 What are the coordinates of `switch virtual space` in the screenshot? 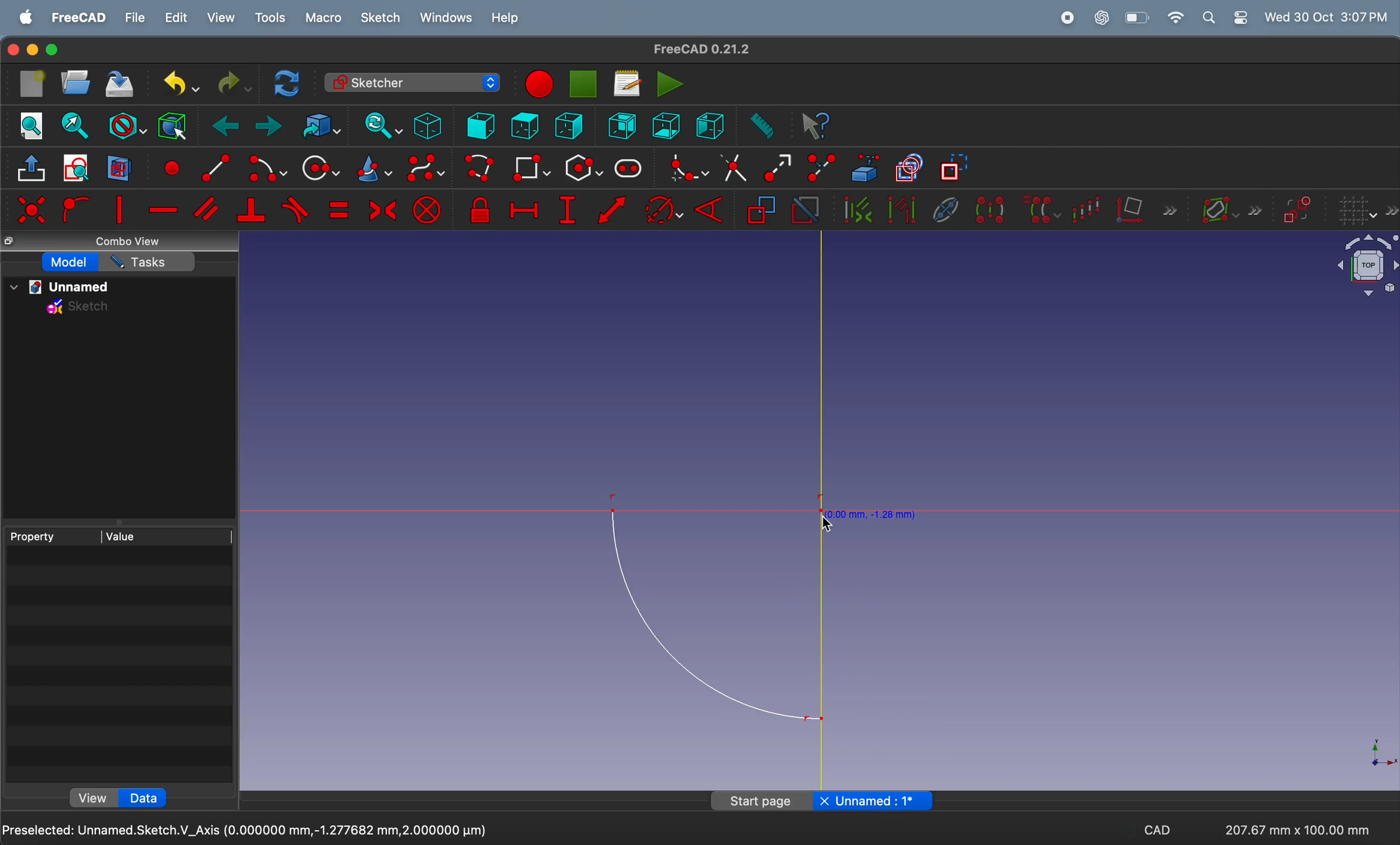 It's located at (1298, 210).